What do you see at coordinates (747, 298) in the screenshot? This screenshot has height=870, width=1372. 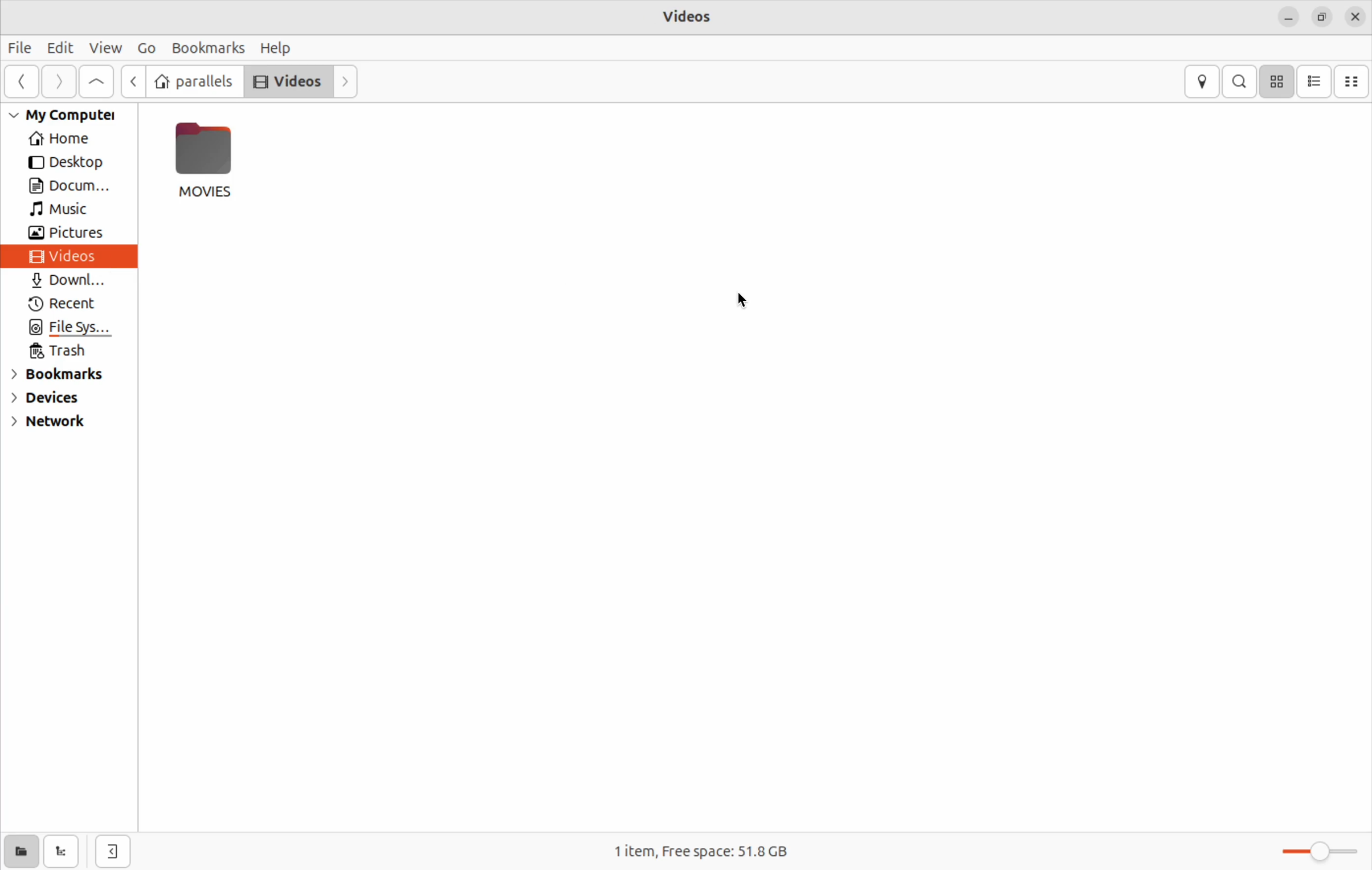 I see `cursor` at bounding box center [747, 298].